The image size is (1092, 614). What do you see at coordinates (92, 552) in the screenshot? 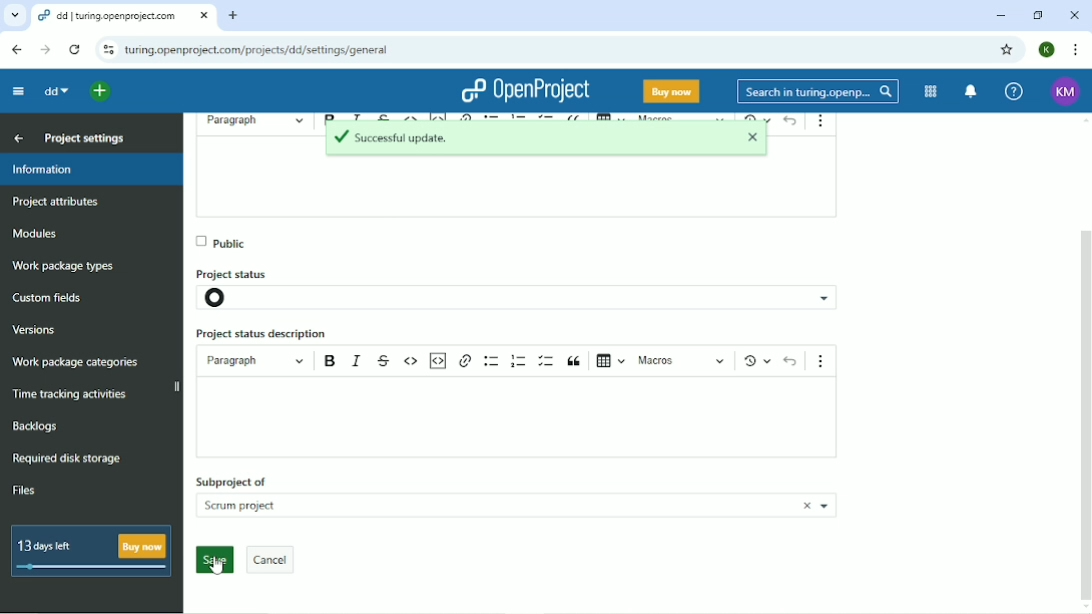
I see `13 days left buy now` at bounding box center [92, 552].